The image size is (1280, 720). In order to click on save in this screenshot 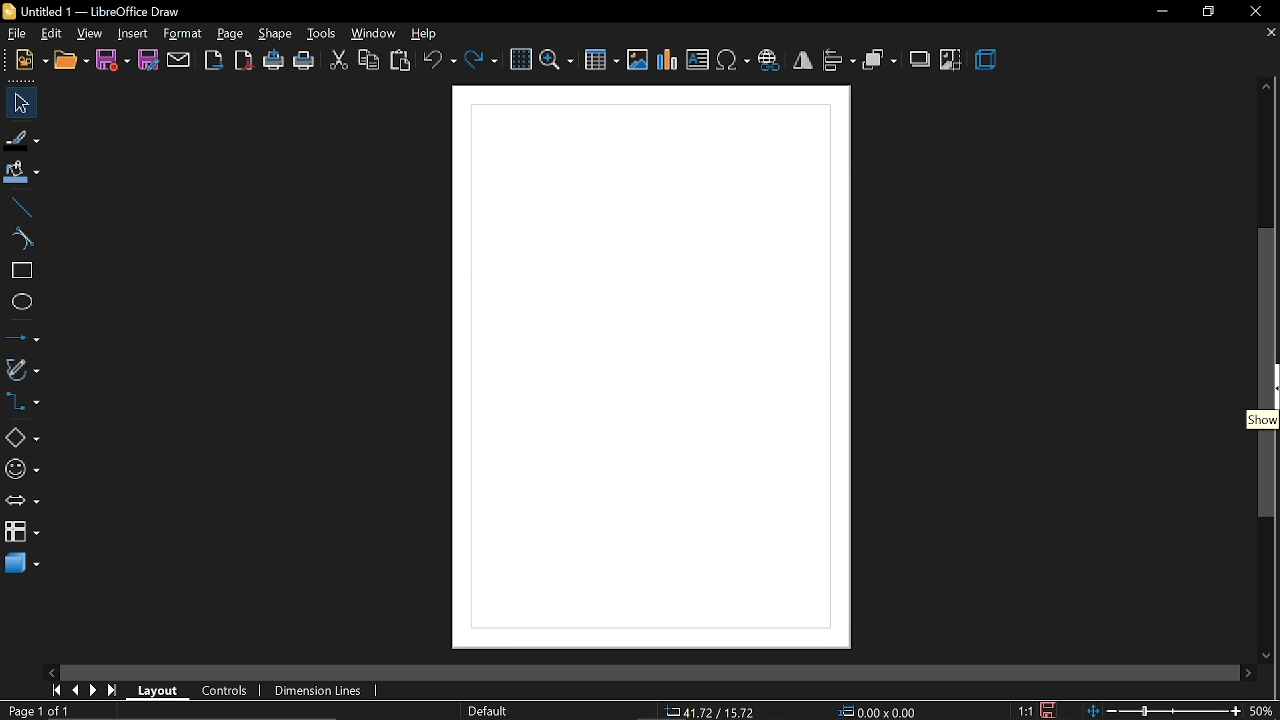, I will do `click(1050, 710)`.